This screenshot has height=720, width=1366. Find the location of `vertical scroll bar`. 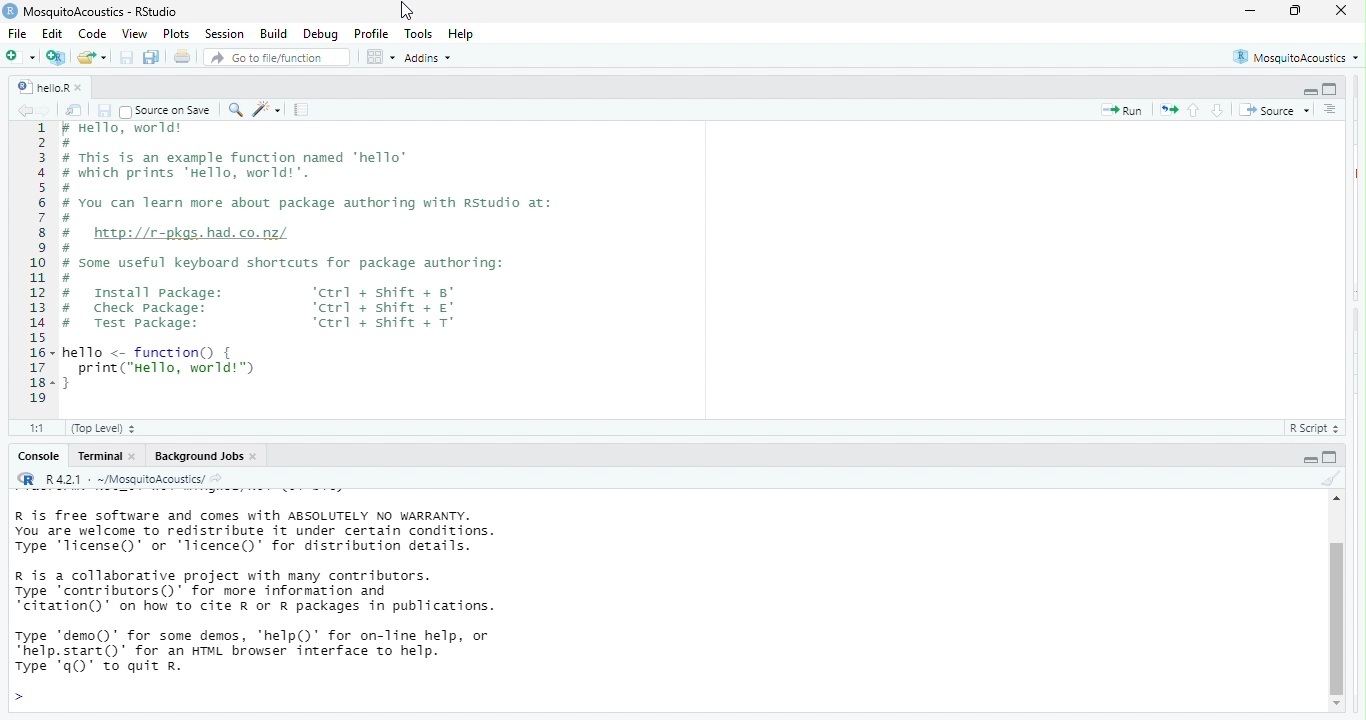

vertical scroll bar is located at coordinates (1336, 609).